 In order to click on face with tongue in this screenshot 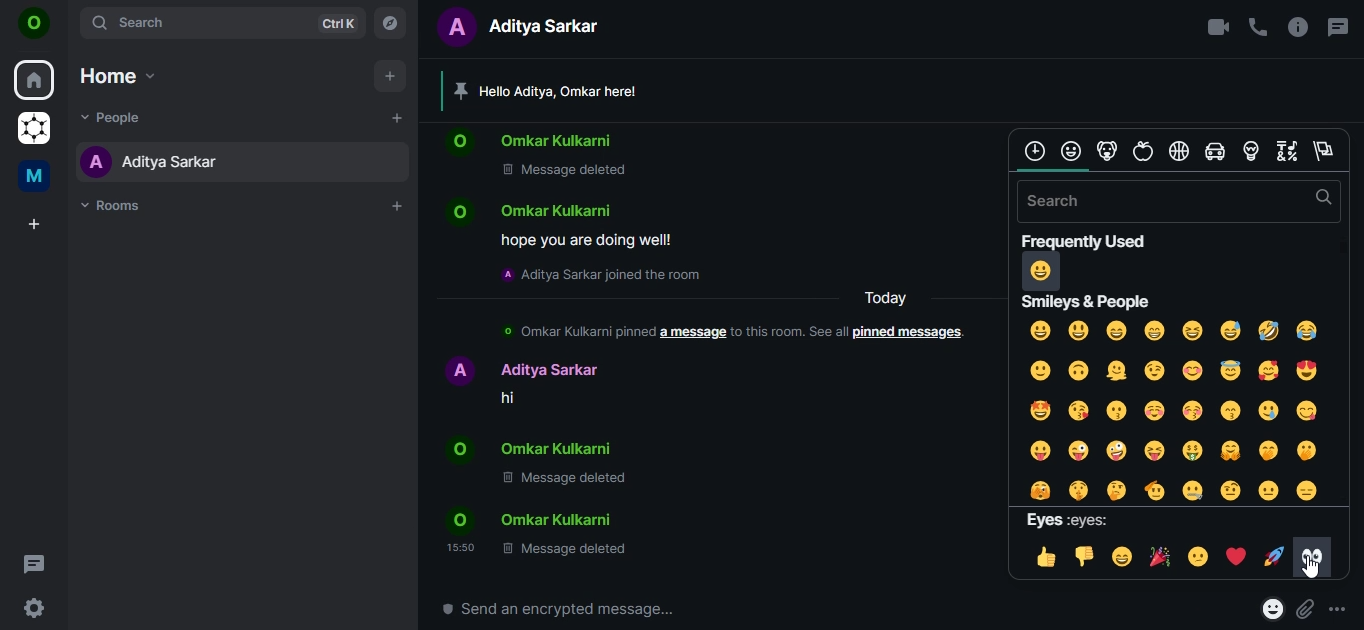, I will do `click(1040, 451)`.